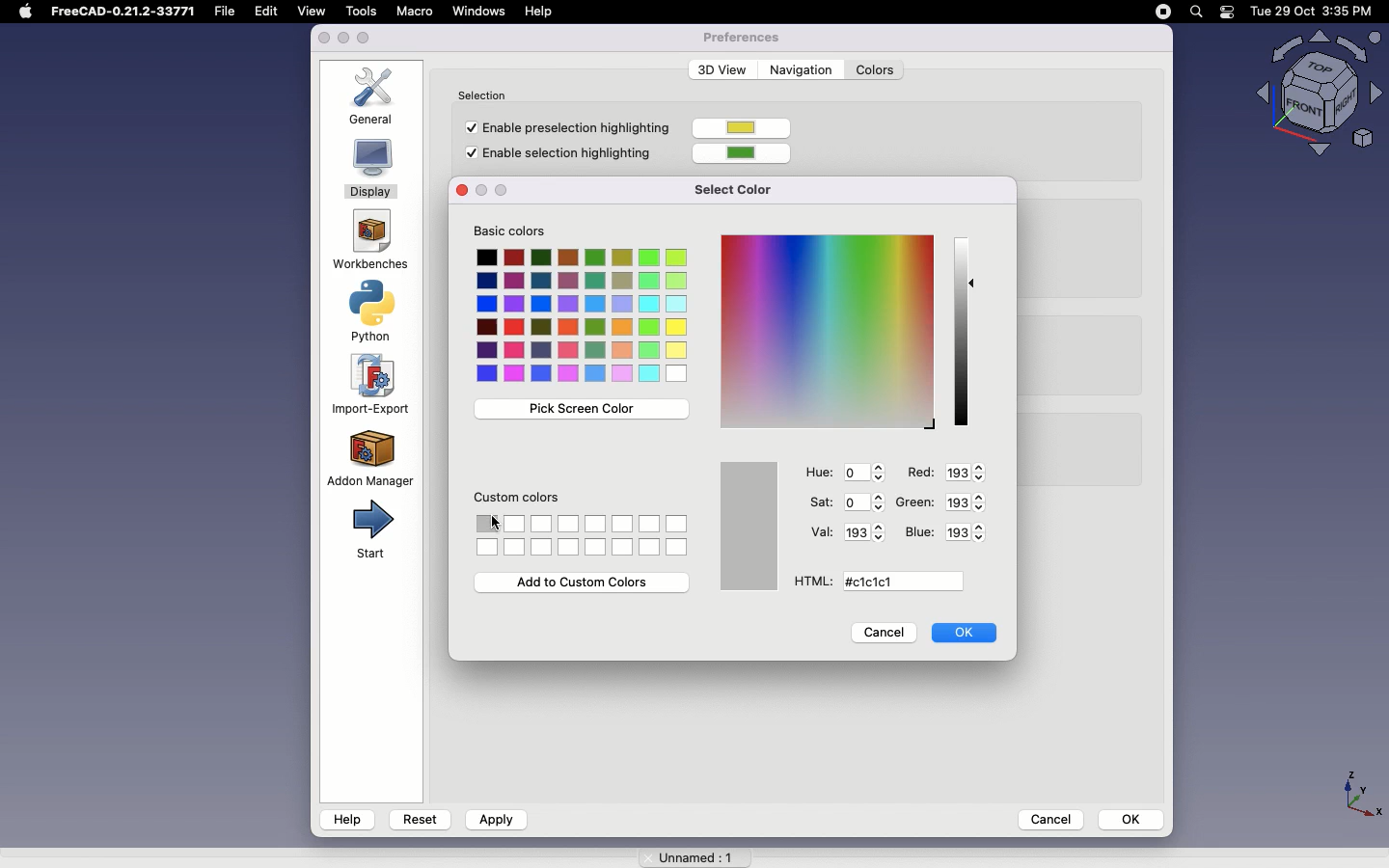  I want to click on 193, so click(963, 472).